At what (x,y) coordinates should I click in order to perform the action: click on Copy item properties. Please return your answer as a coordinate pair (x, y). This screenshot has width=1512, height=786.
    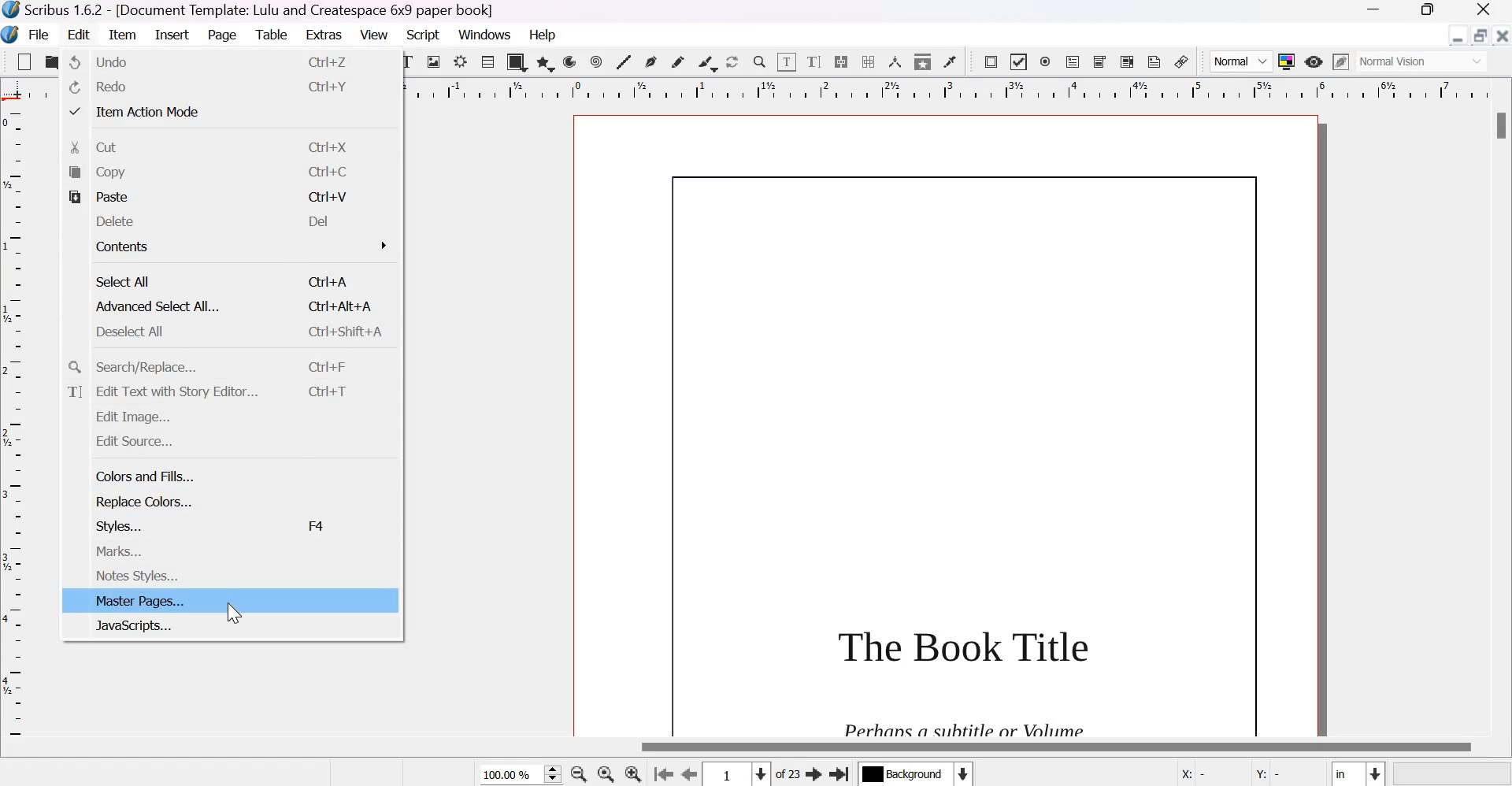
    Looking at the image, I should click on (923, 61).